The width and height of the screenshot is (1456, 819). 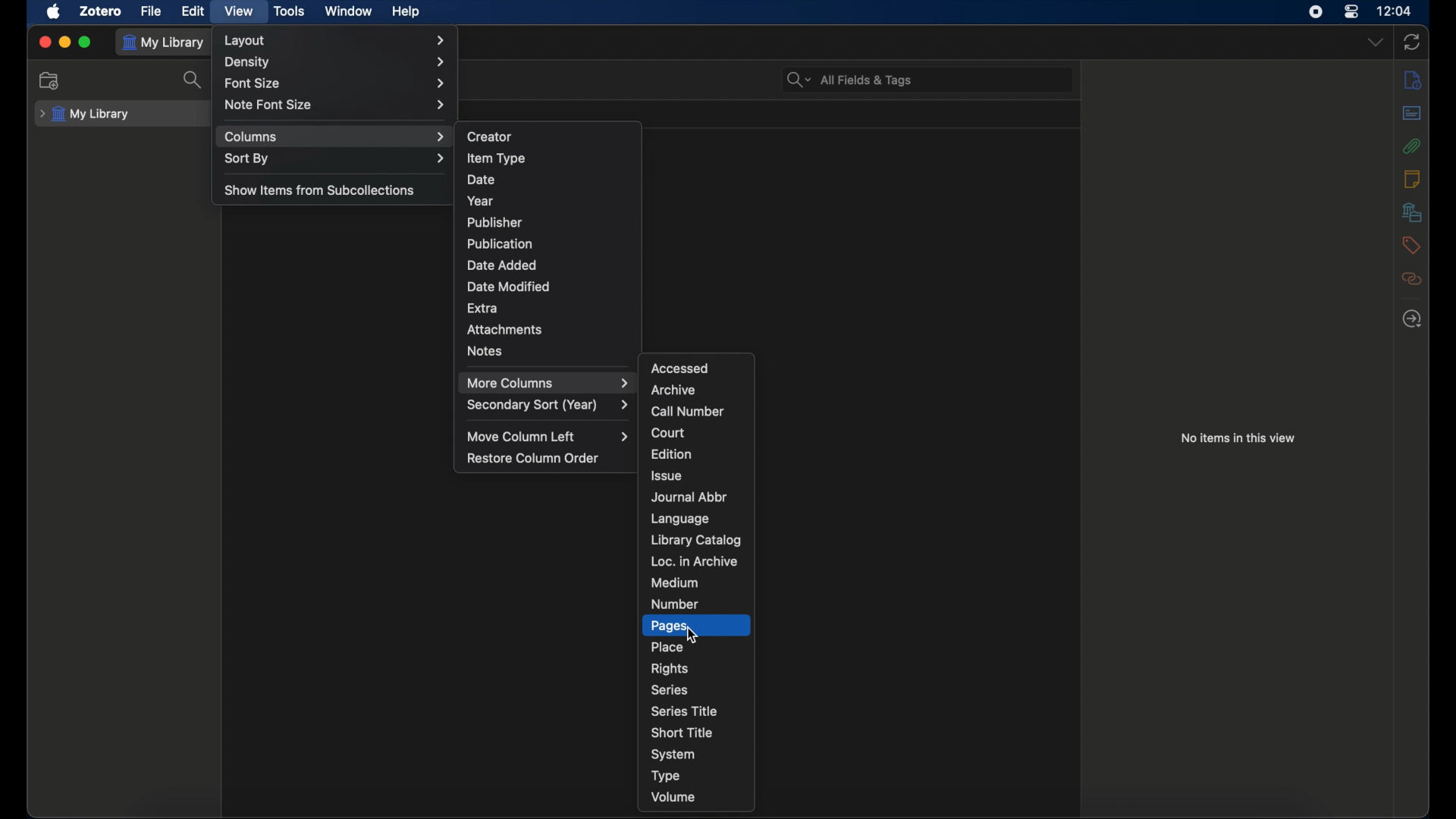 What do you see at coordinates (849, 79) in the screenshot?
I see `search bar` at bounding box center [849, 79].